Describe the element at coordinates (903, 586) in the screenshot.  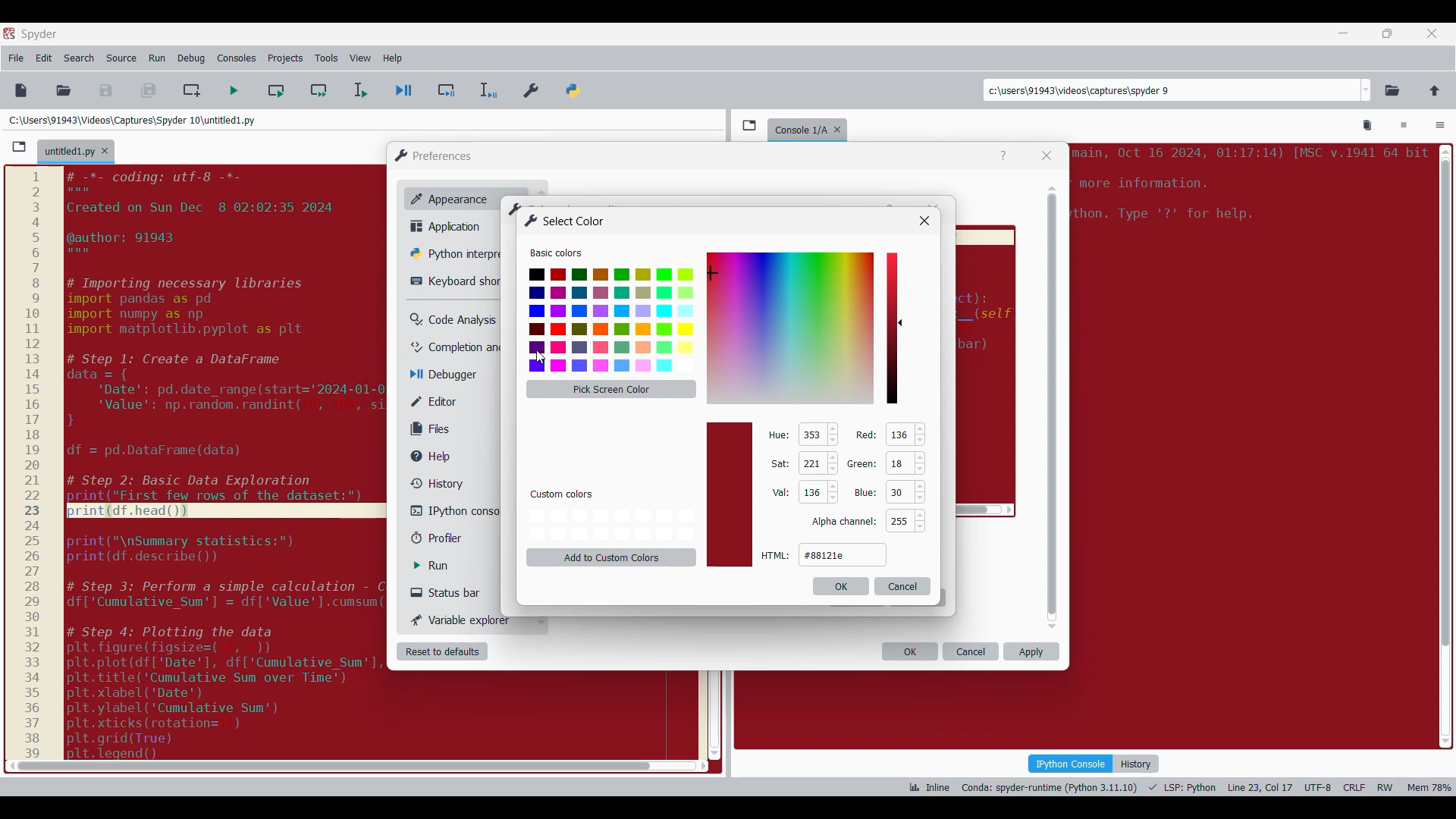
I see `Delete inputs made` at that location.